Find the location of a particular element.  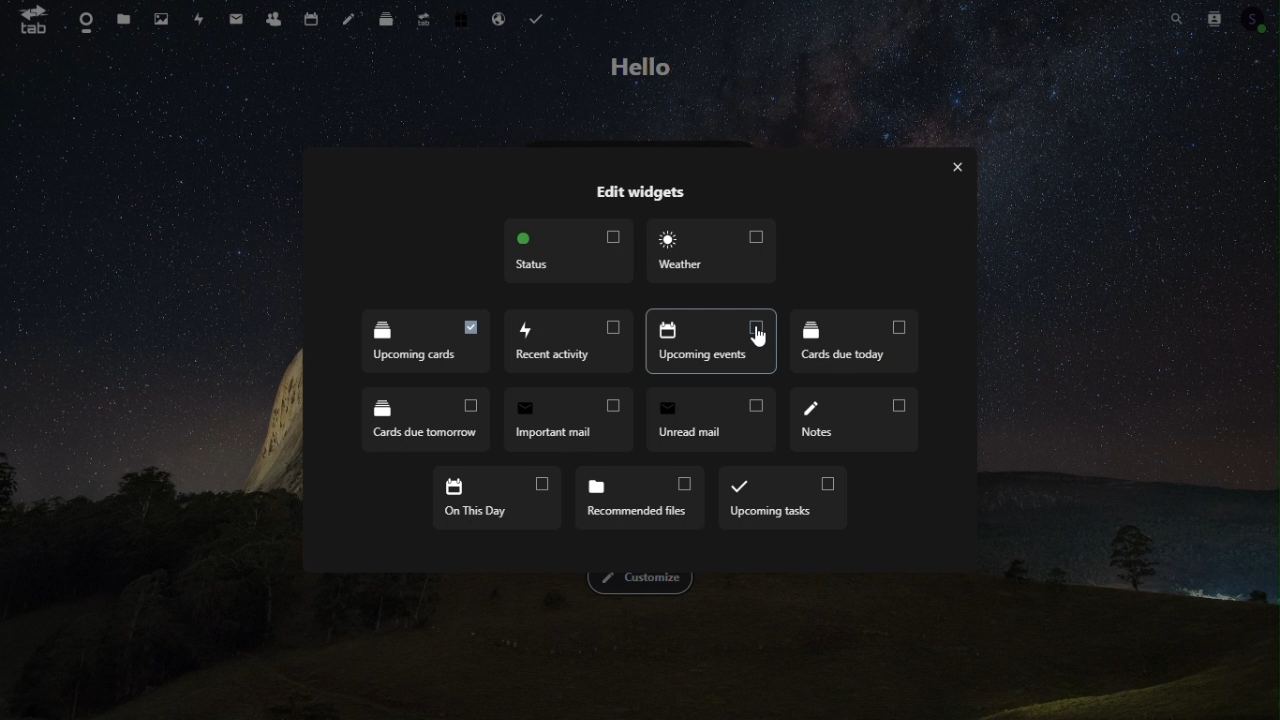

Customize is located at coordinates (643, 582).